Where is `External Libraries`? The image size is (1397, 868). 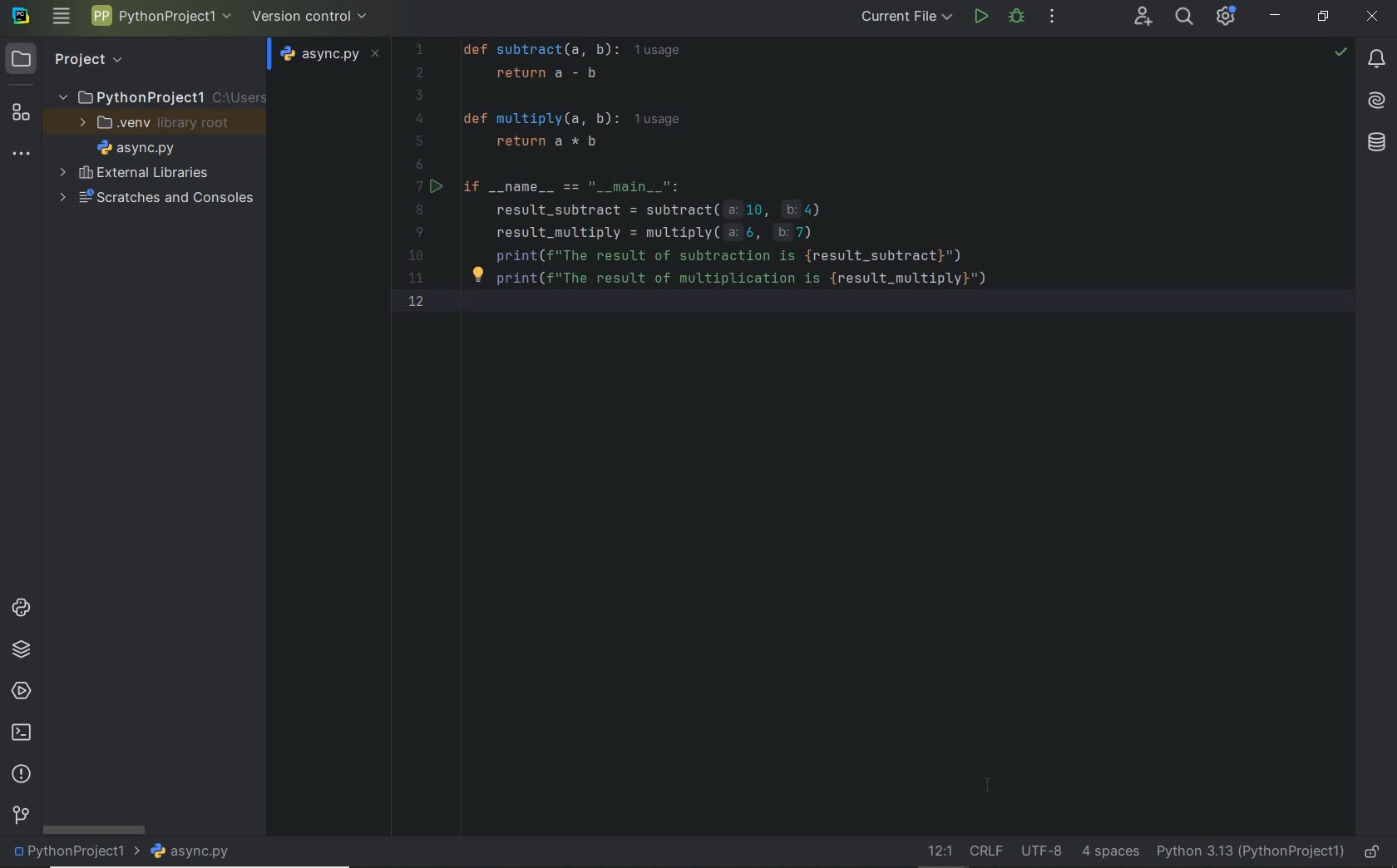 External Libraries is located at coordinates (134, 172).